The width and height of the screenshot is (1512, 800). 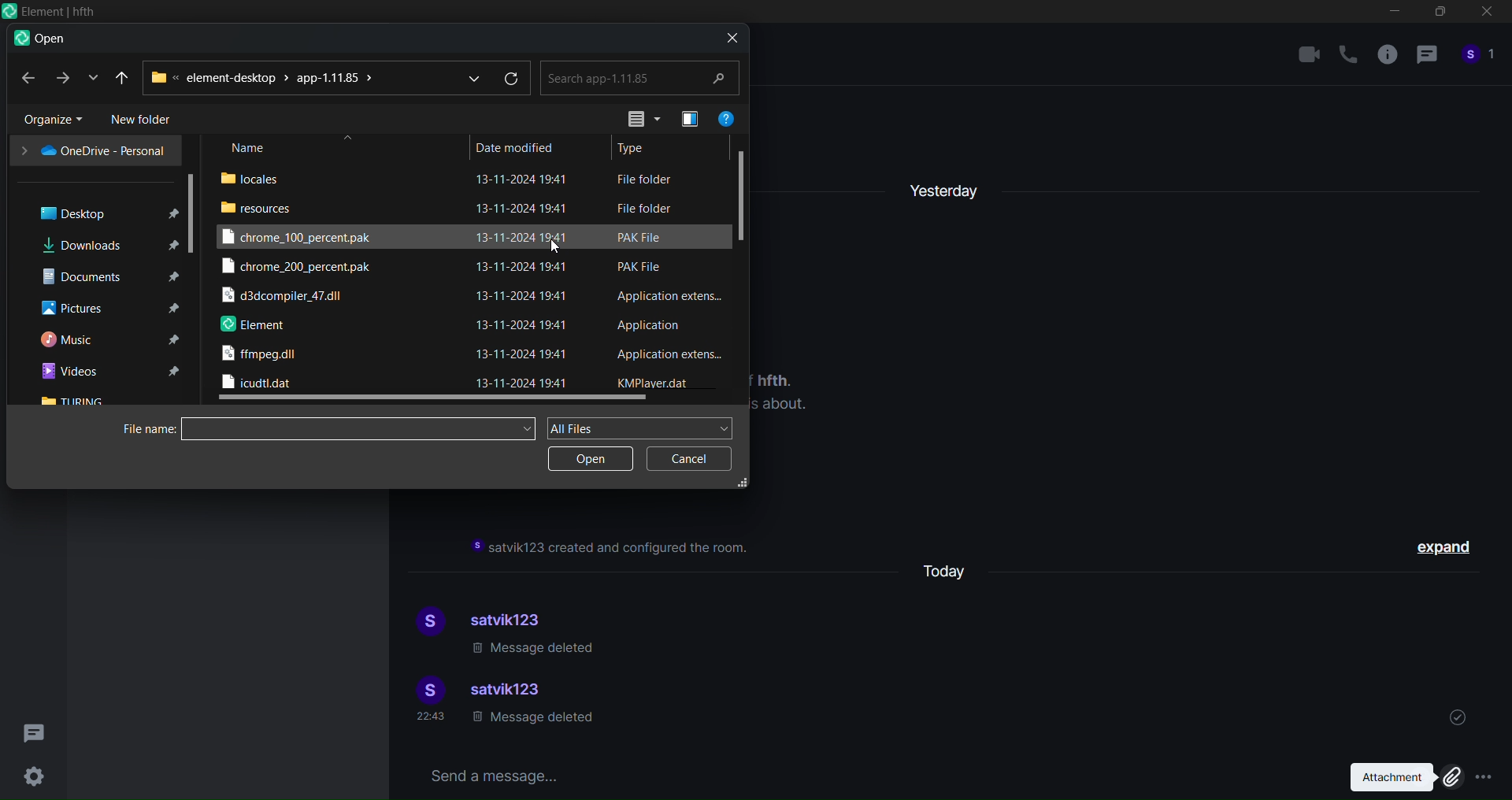 What do you see at coordinates (1479, 59) in the screenshot?
I see `people` at bounding box center [1479, 59].